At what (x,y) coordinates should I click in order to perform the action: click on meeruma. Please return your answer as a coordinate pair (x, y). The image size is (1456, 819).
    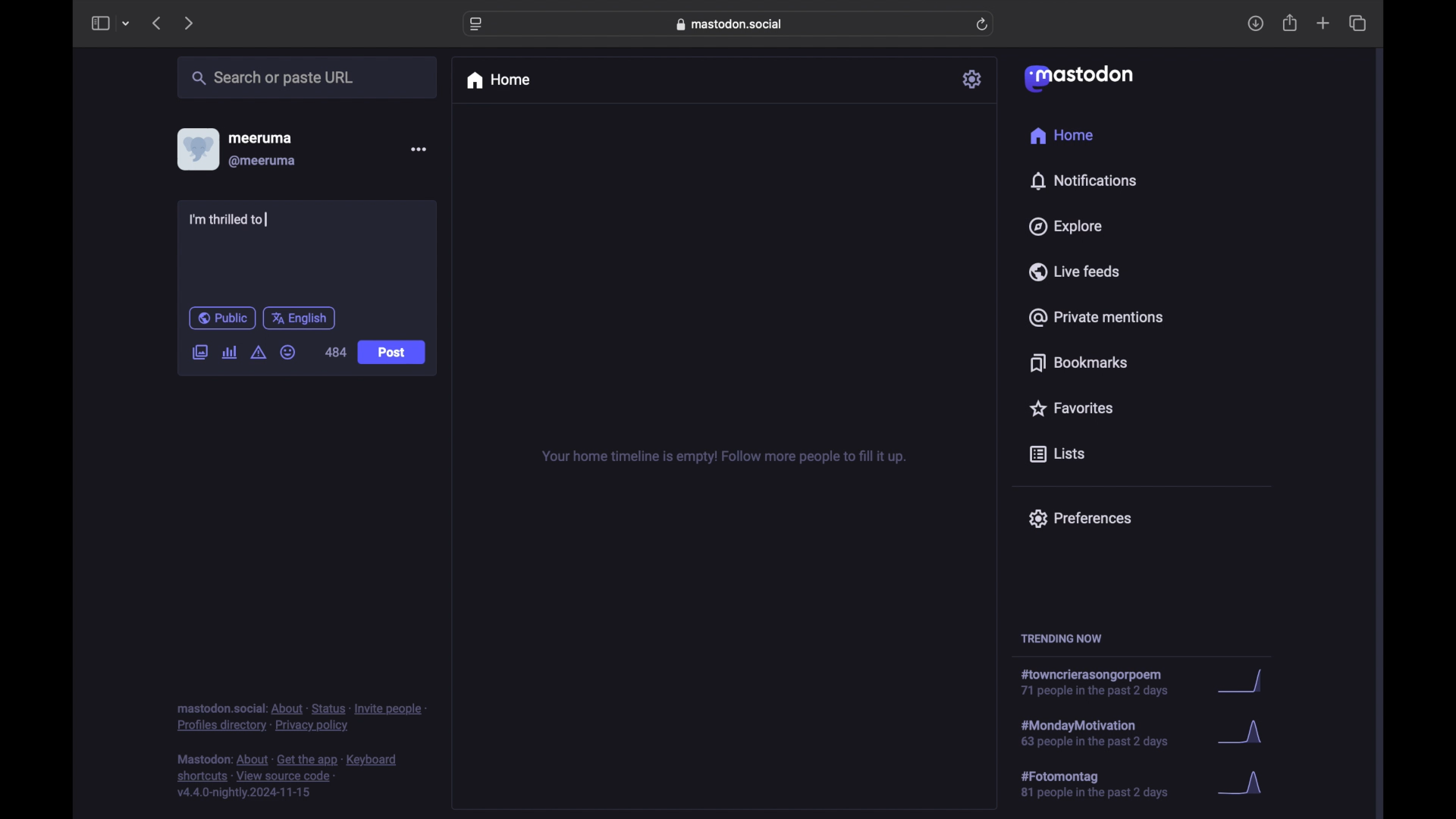
    Looking at the image, I should click on (260, 138).